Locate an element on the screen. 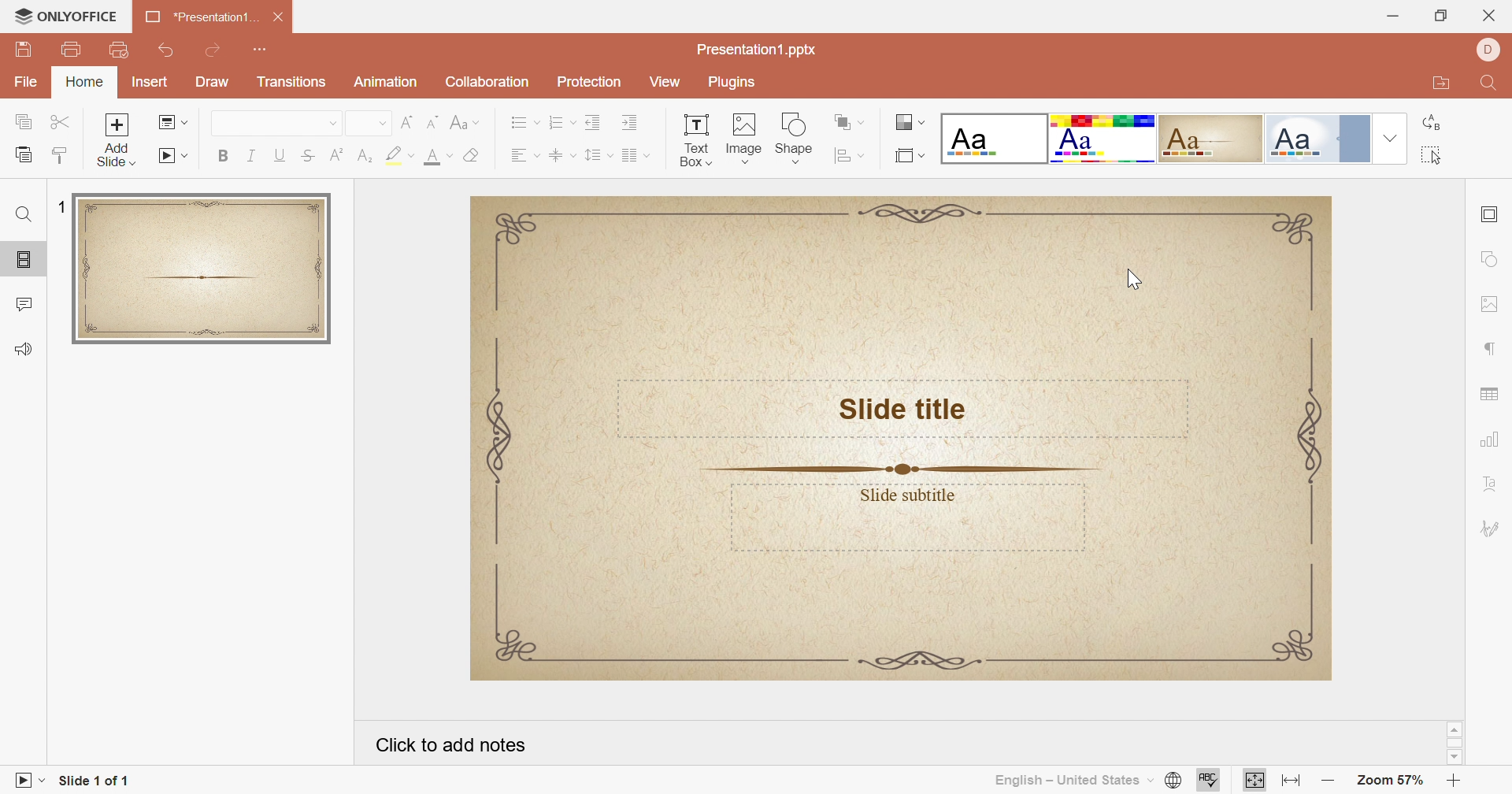 The height and width of the screenshot is (794, 1512). Font Color is located at coordinates (435, 157).